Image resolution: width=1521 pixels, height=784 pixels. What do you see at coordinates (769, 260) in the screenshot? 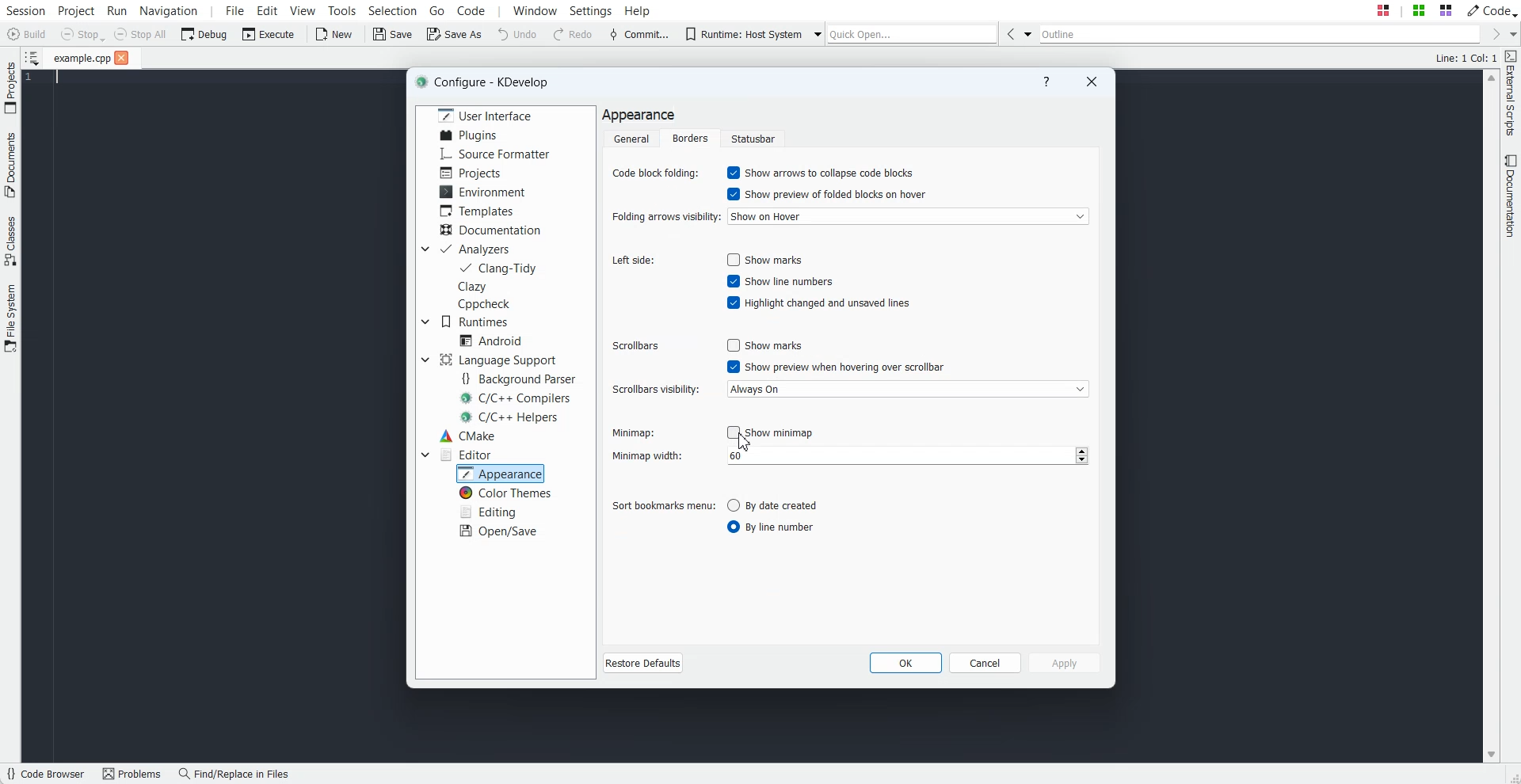
I see `Enable show marks` at bounding box center [769, 260].